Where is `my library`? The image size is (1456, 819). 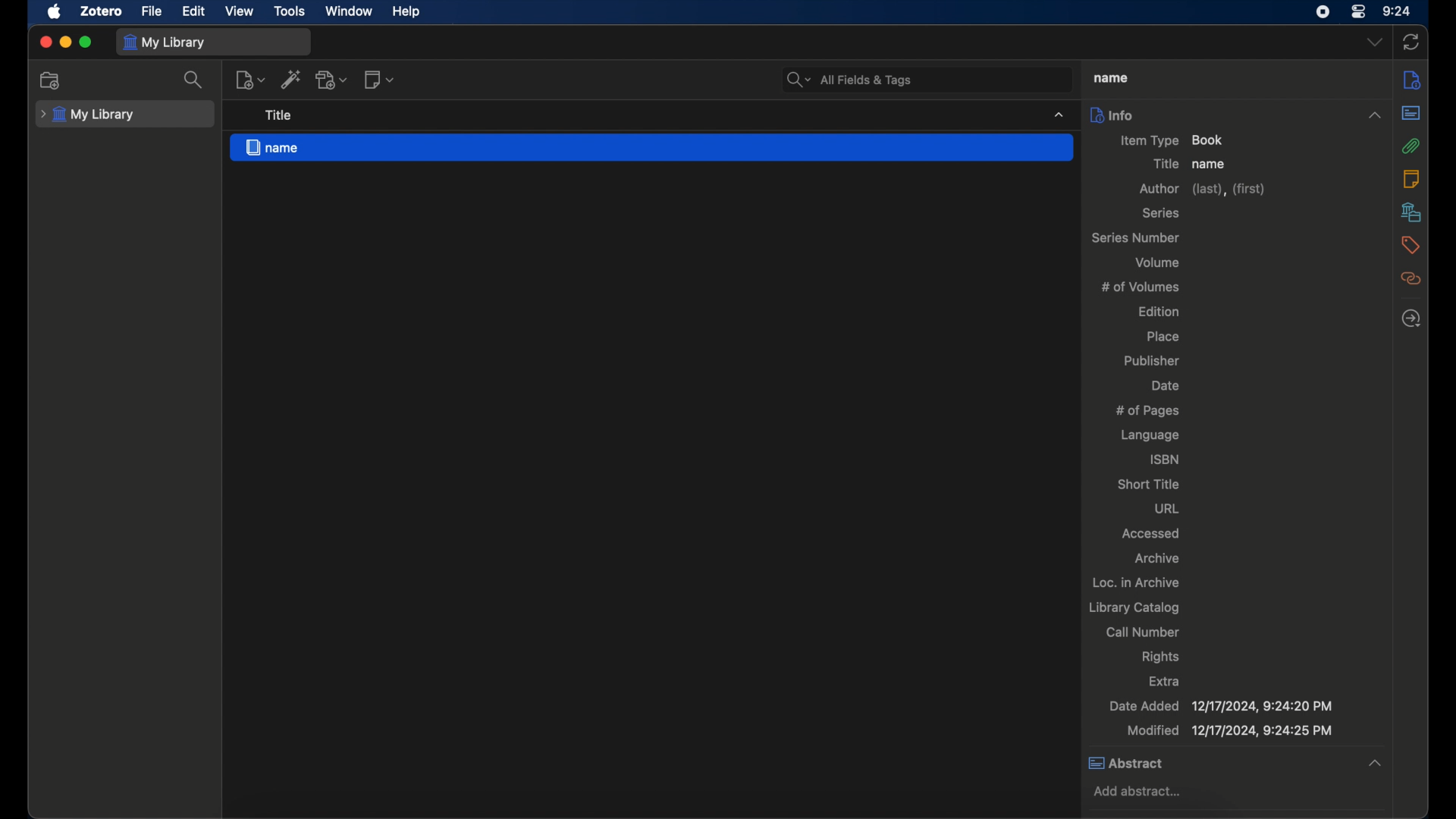 my library is located at coordinates (165, 43).